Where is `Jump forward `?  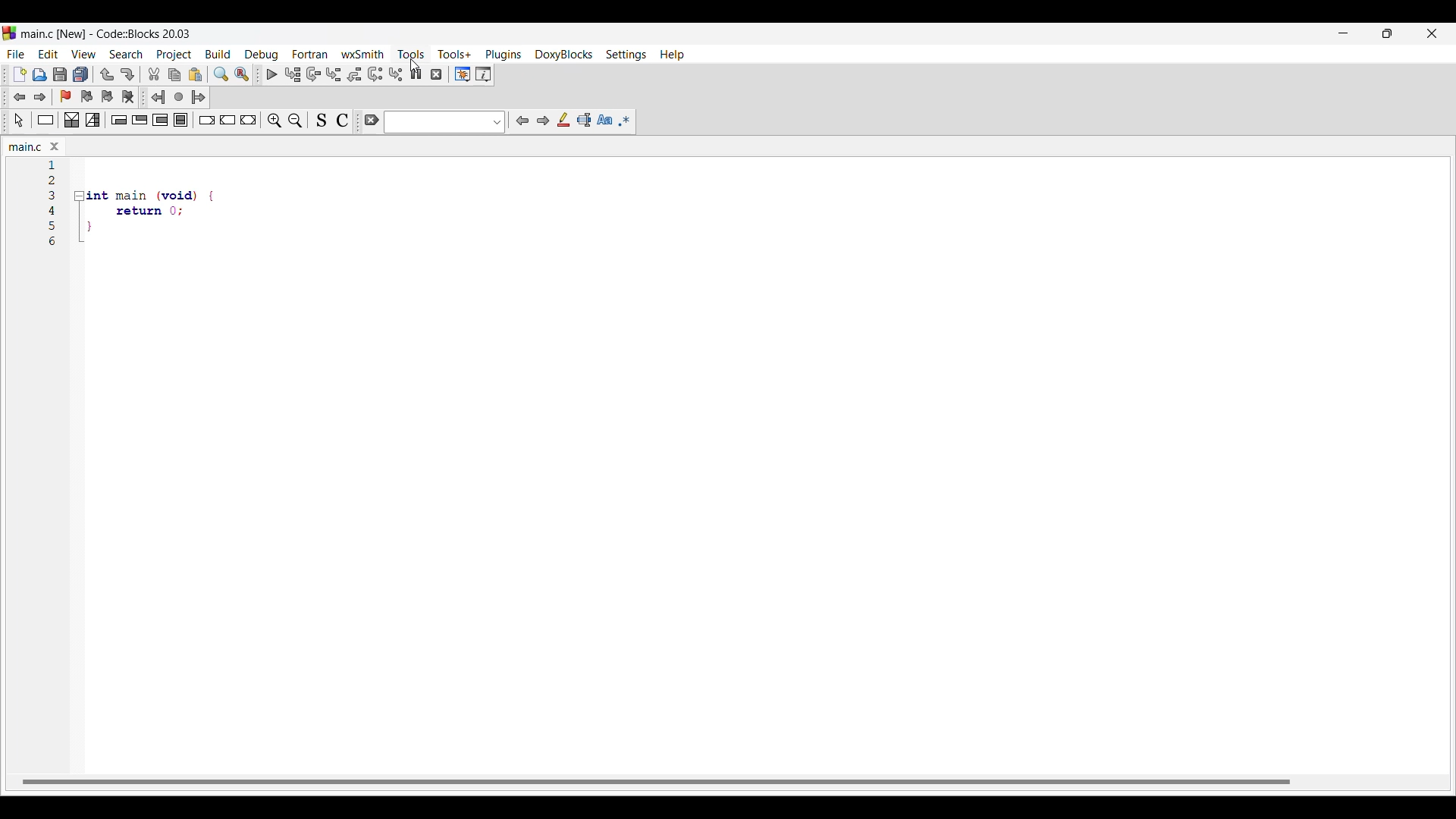
Jump forward  is located at coordinates (39, 97).